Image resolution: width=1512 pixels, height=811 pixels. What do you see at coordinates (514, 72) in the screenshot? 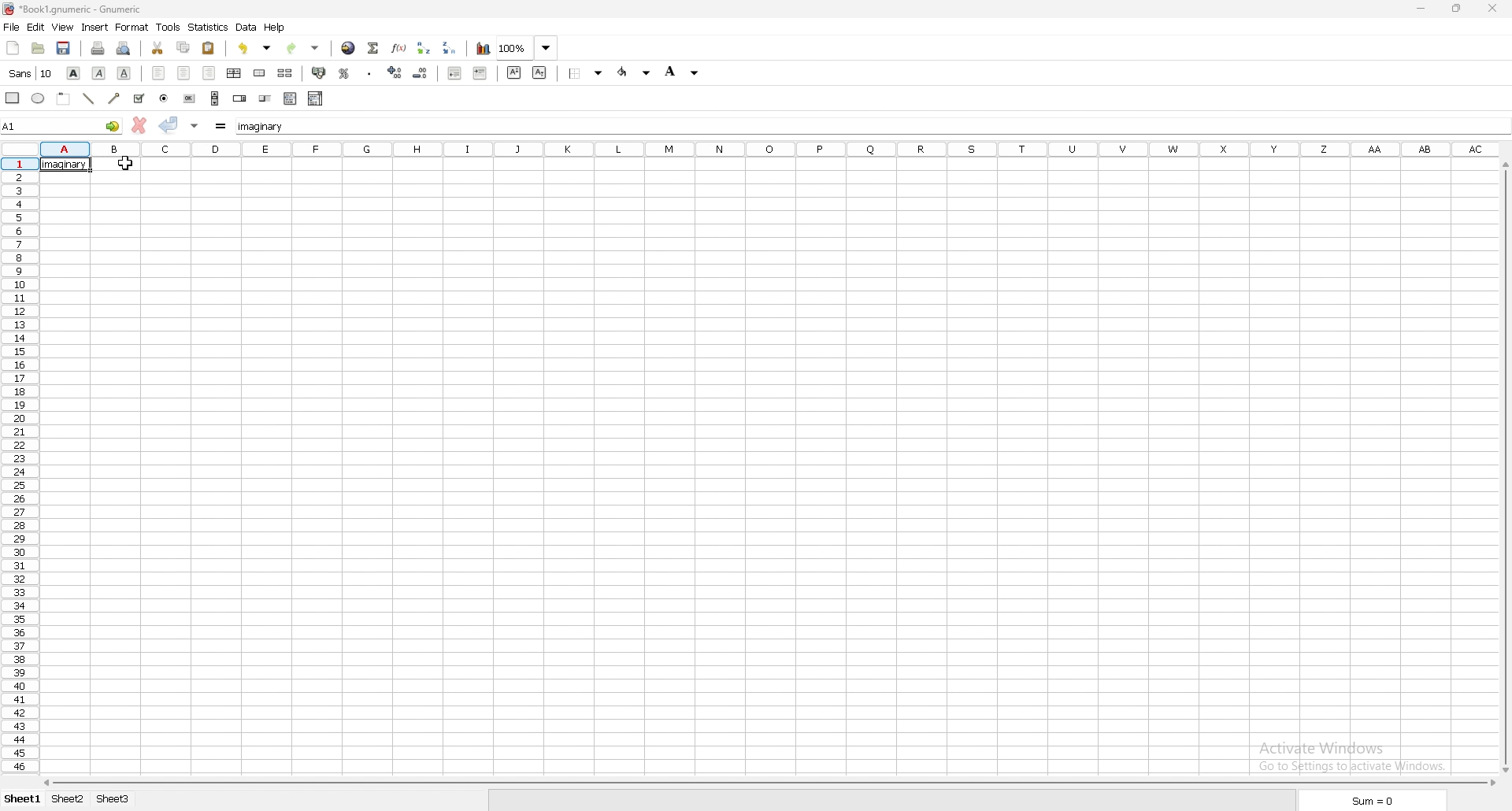
I see `superscript` at bounding box center [514, 72].